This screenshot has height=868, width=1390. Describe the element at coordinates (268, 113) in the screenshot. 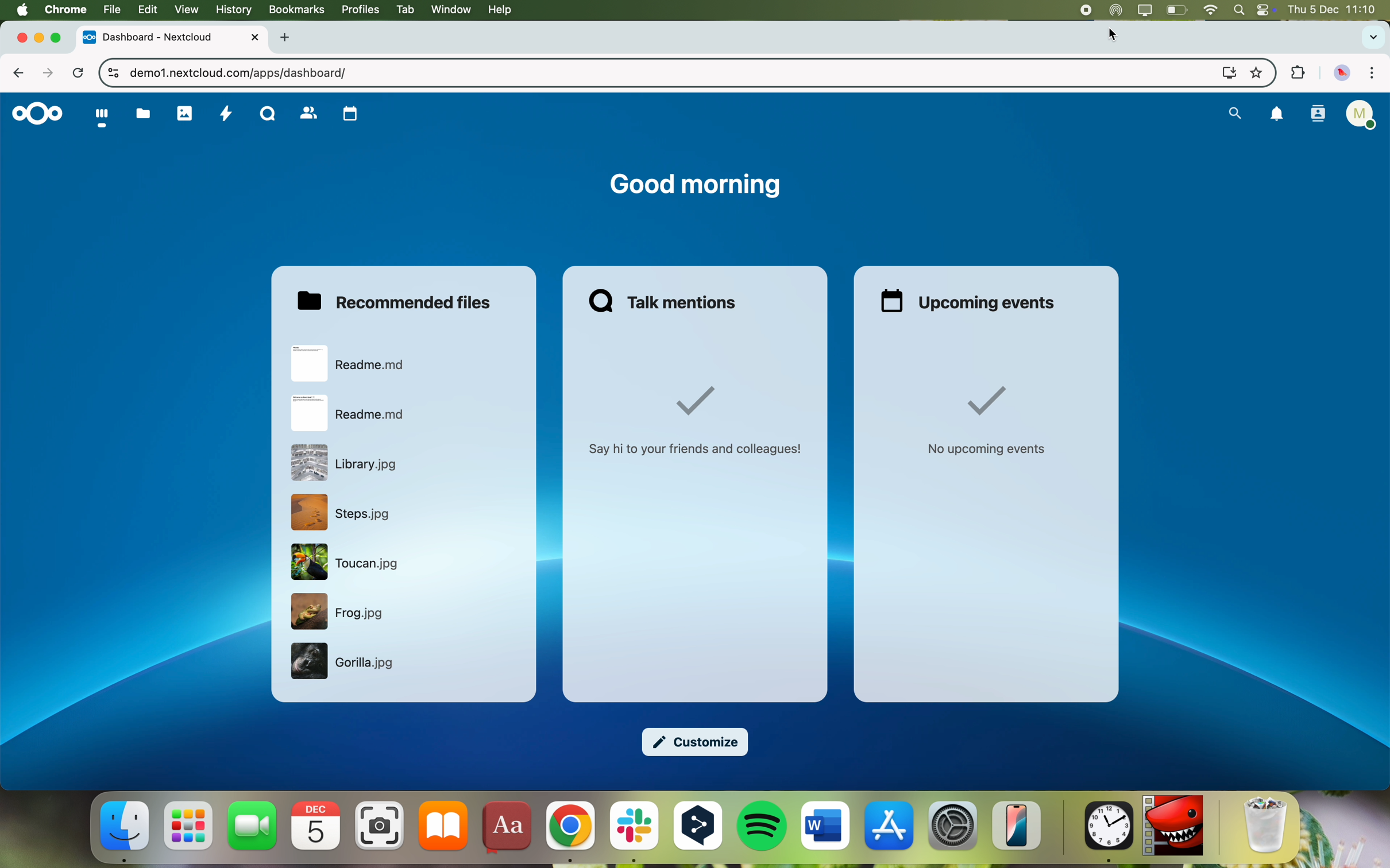

I see `Talk` at that location.